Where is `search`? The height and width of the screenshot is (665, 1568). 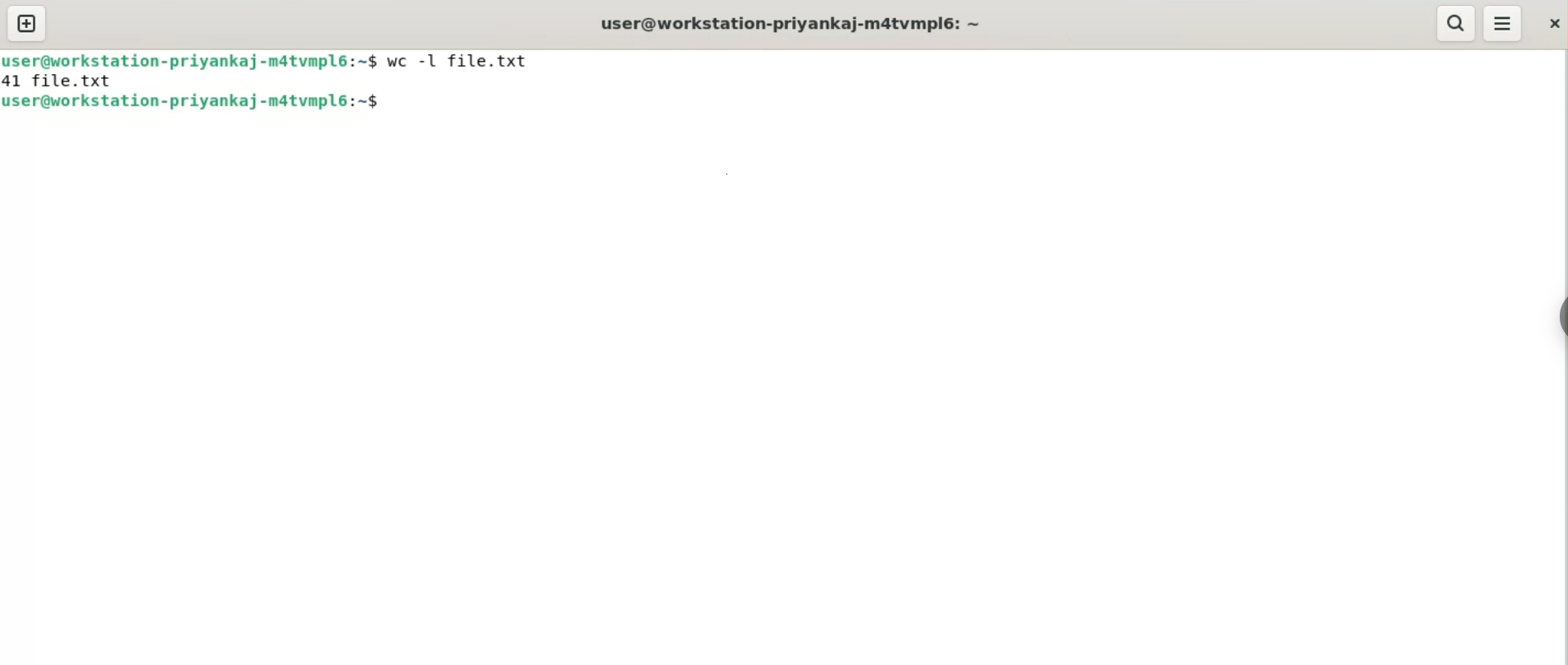
search is located at coordinates (1457, 23).